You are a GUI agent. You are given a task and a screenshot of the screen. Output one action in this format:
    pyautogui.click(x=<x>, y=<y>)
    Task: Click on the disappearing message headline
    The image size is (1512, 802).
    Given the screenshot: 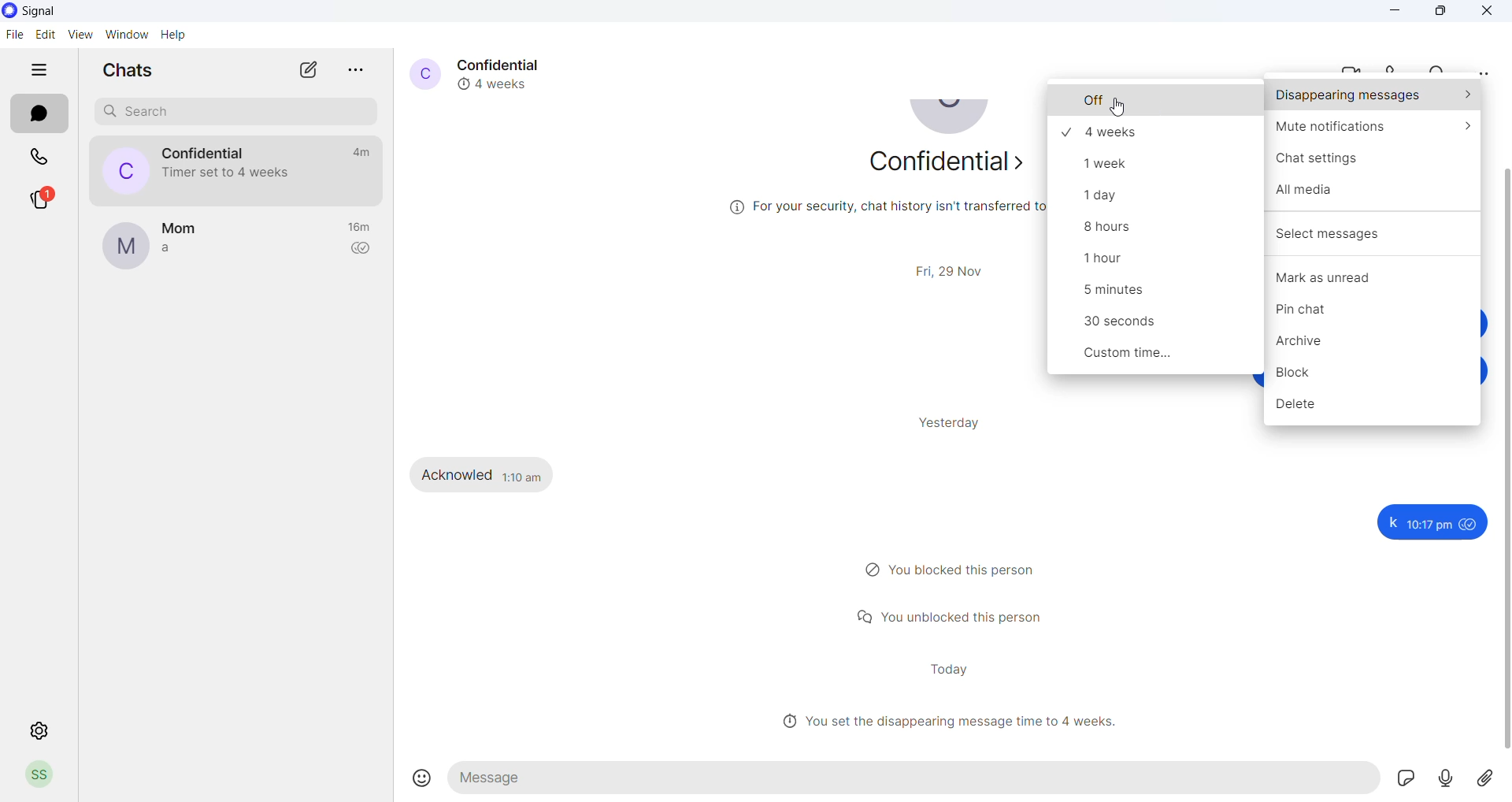 What is the action you would take?
    pyautogui.click(x=955, y=721)
    